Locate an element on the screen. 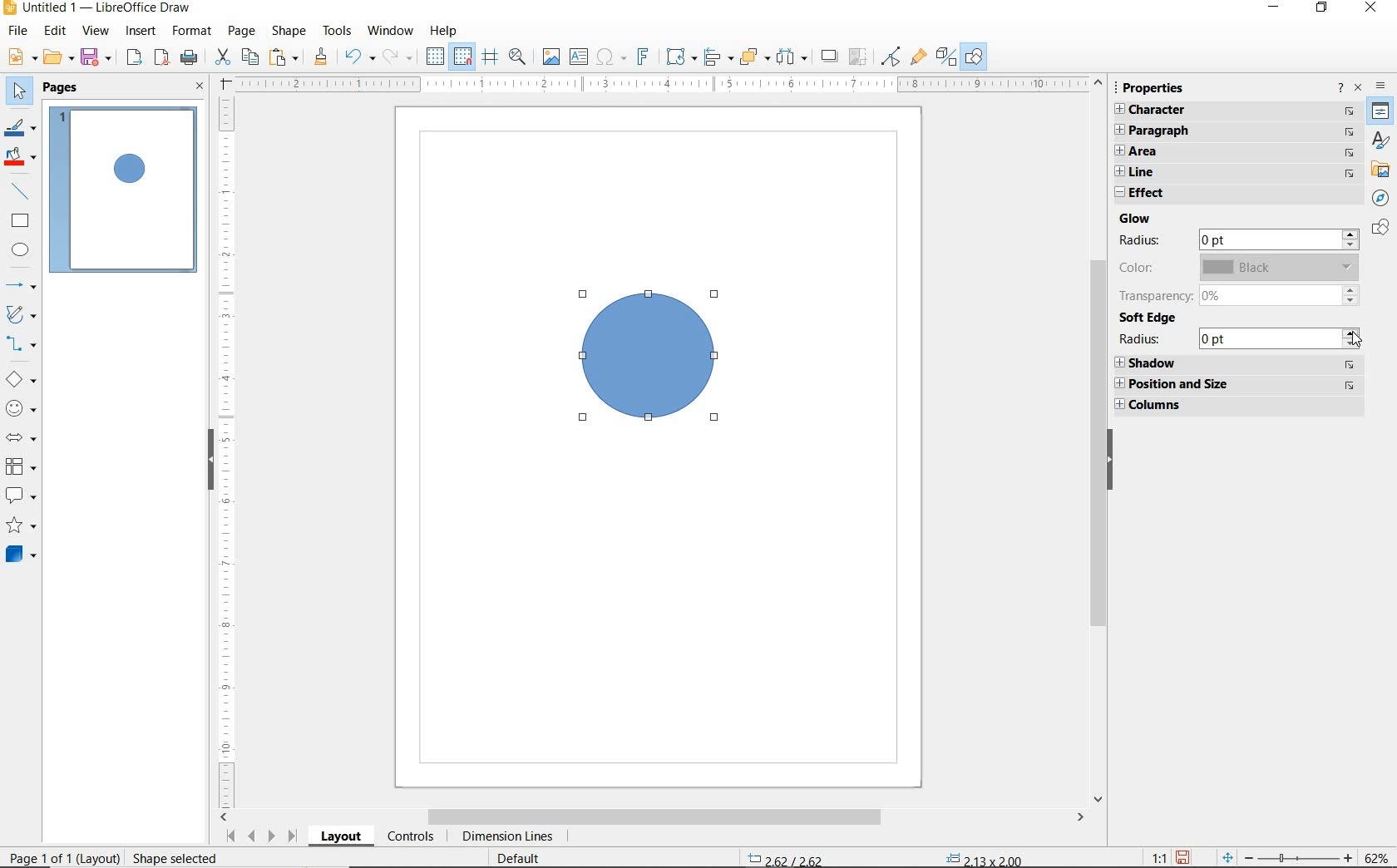 This screenshot has width=1397, height=868. 3D OBJECTS is located at coordinates (23, 555).